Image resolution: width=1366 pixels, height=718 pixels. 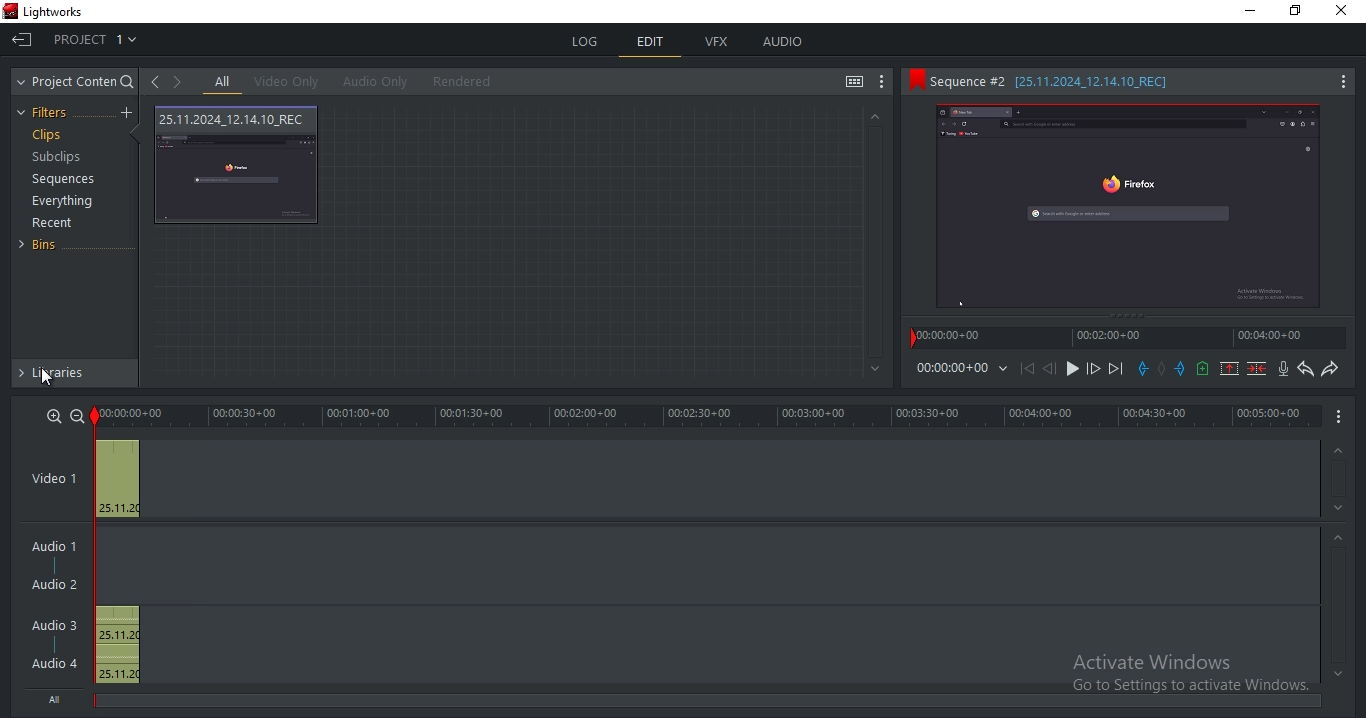 What do you see at coordinates (783, 42) in the screenshot?
I see `audio` at bounding box center [783, 42].